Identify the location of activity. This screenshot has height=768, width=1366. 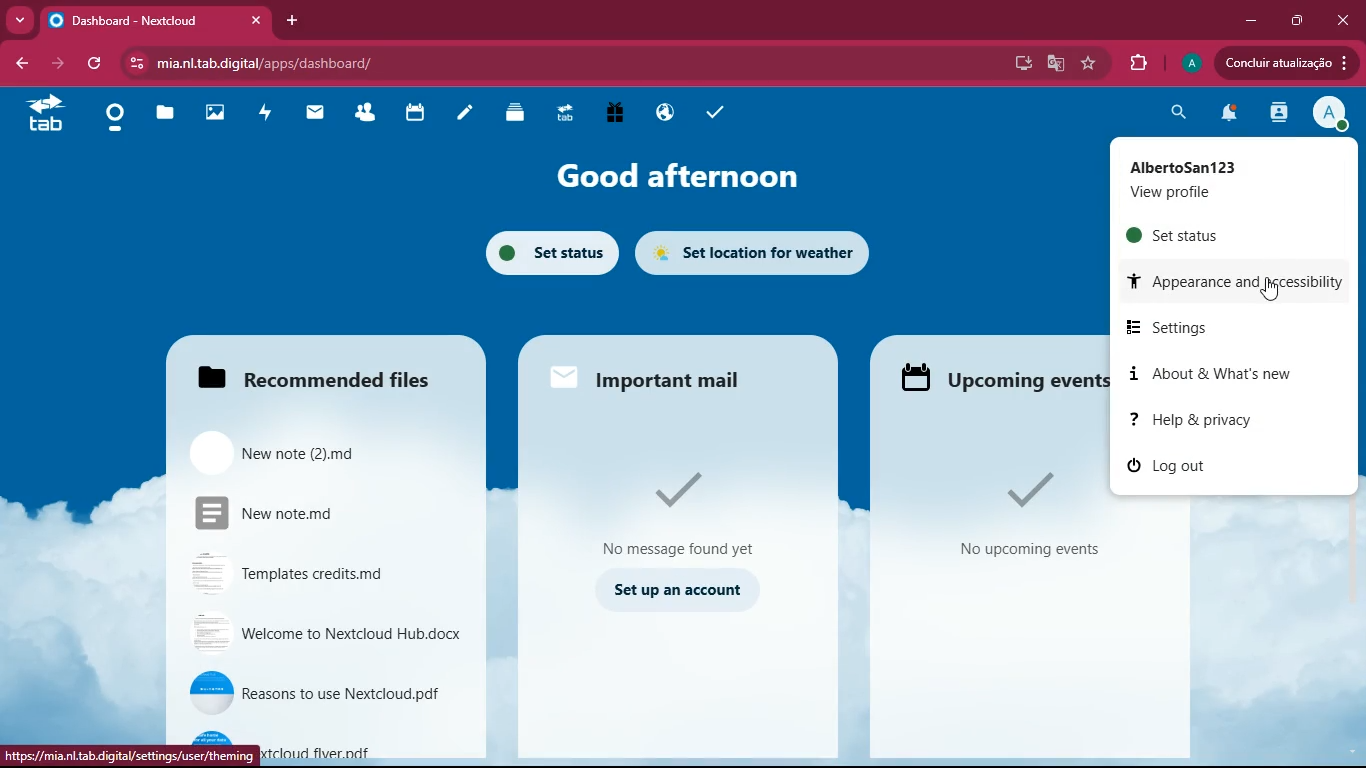
(1281, 115).